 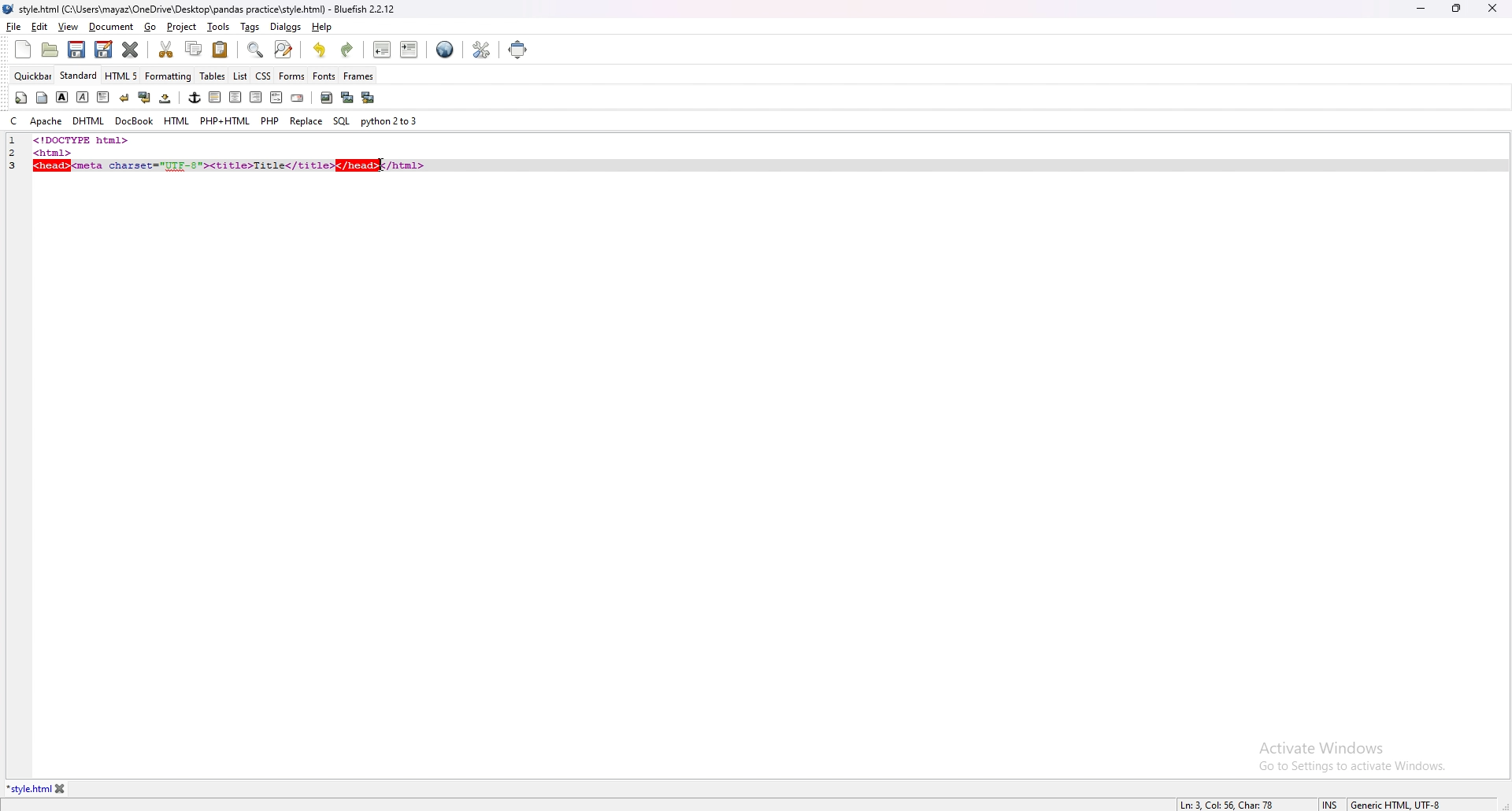 What do you see at coordinates (225, 121) in the screenshot?
I see `php+html` at bounding box center [225, 121].